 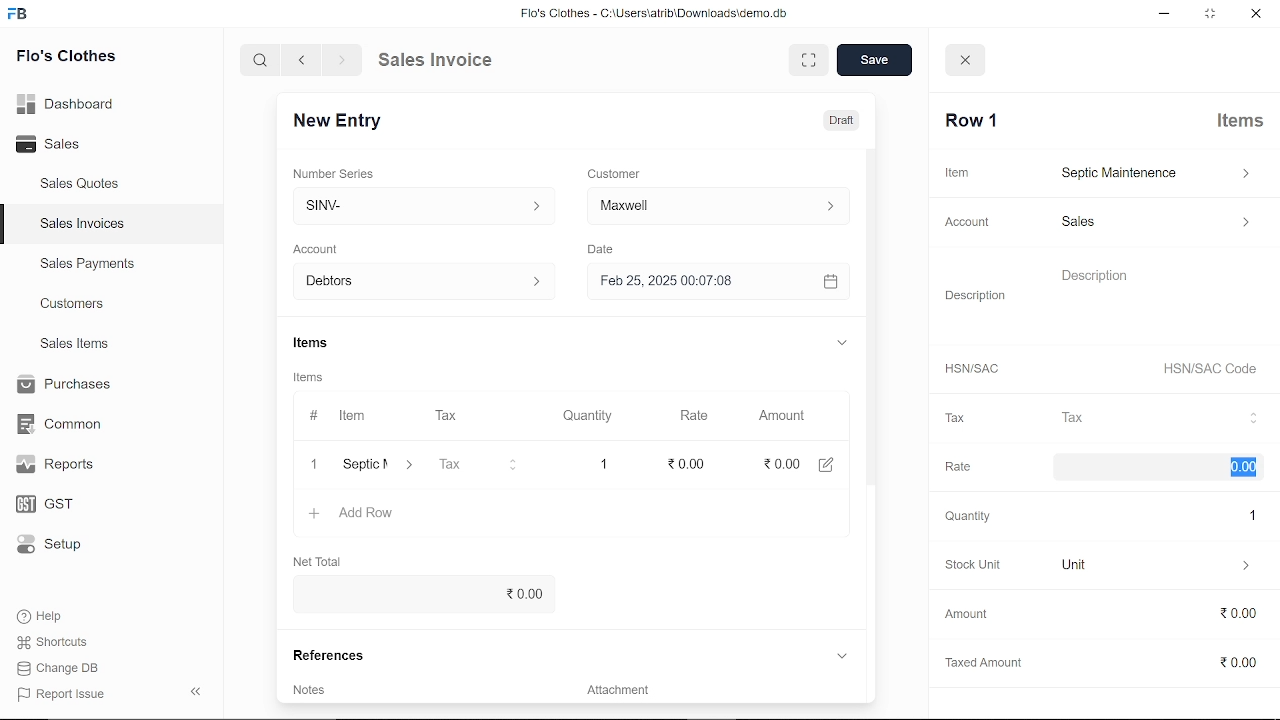 I want to click on Flo's Clothes - G:AUserslatribiDownloadsidemo.do, so click(x=651, y=13).